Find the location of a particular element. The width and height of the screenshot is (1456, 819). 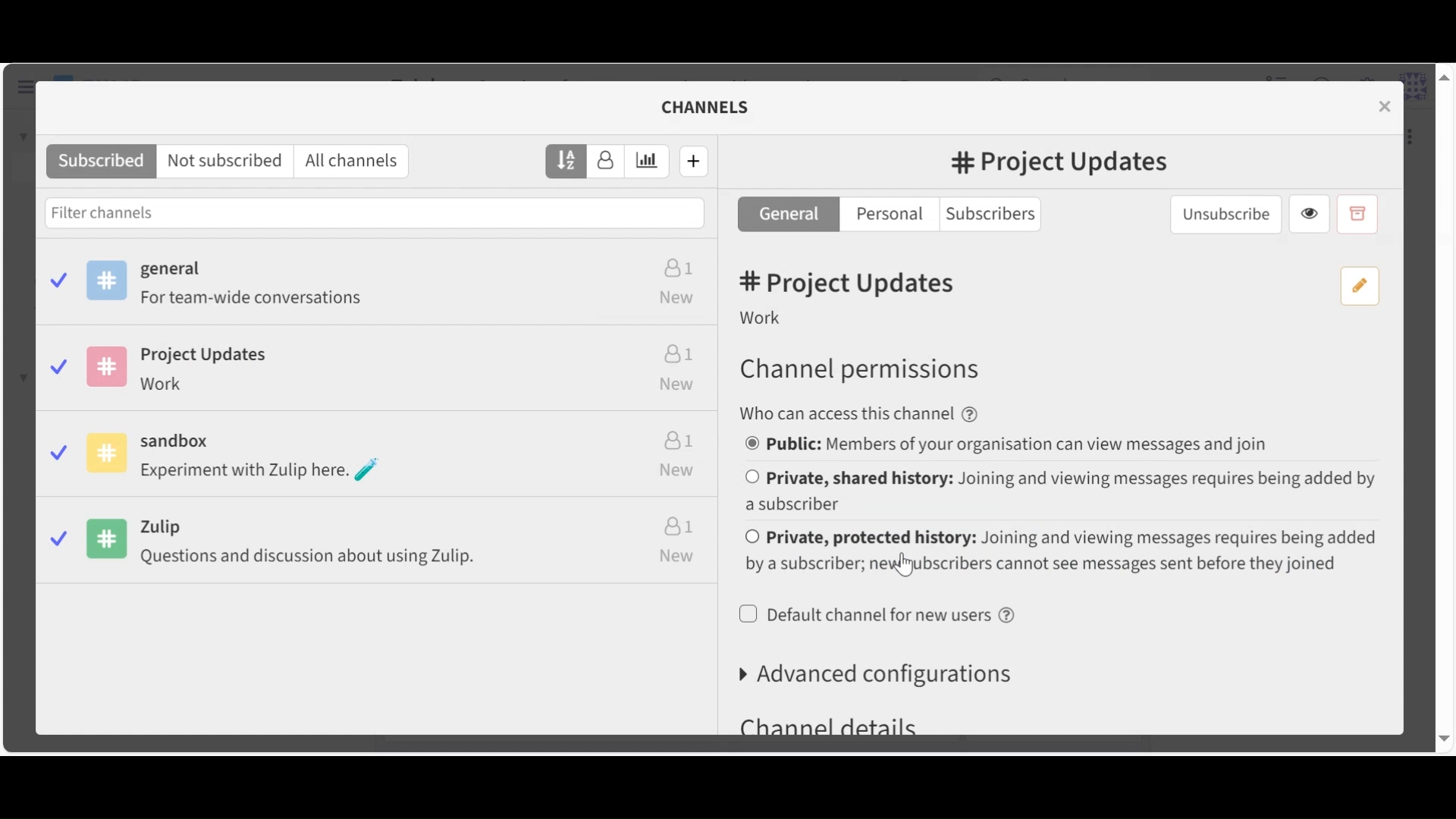

close is located at coordinates (1395, 111).